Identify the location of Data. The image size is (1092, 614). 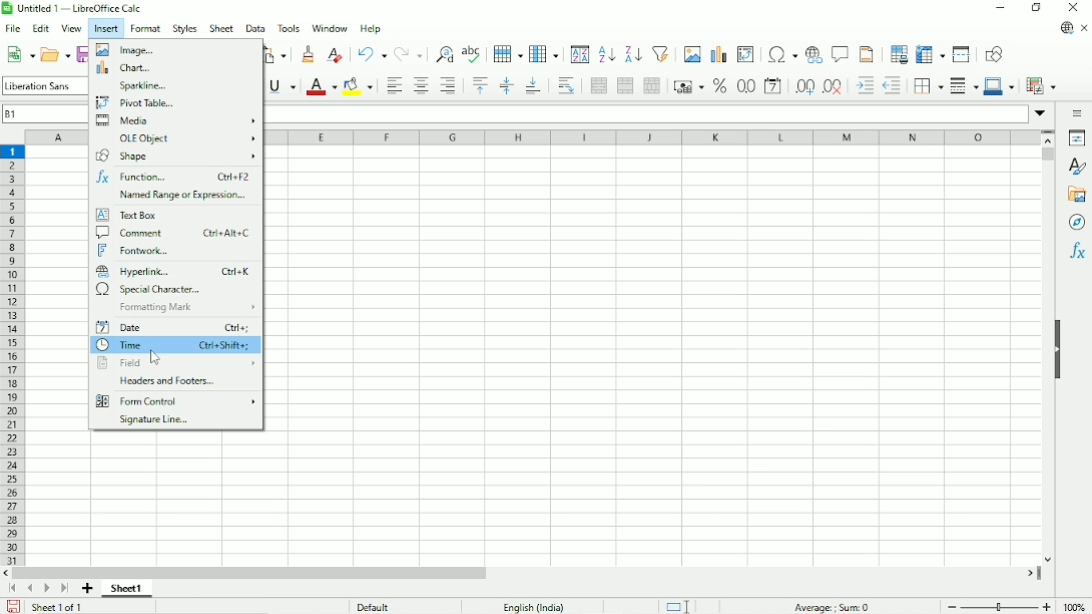
(254, 27).